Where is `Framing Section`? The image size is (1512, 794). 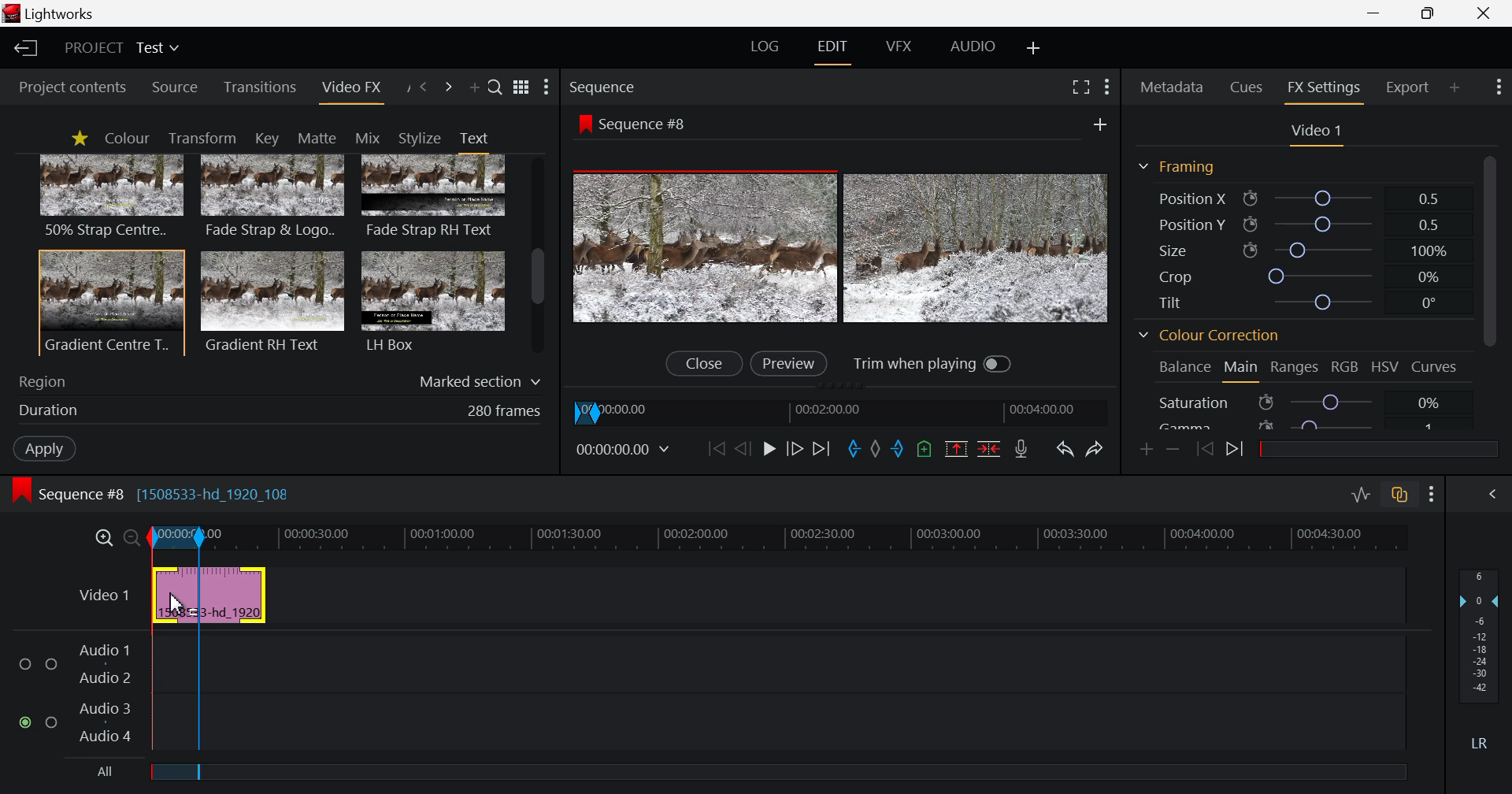 Framing Section is located at coordinates (1183, 166).